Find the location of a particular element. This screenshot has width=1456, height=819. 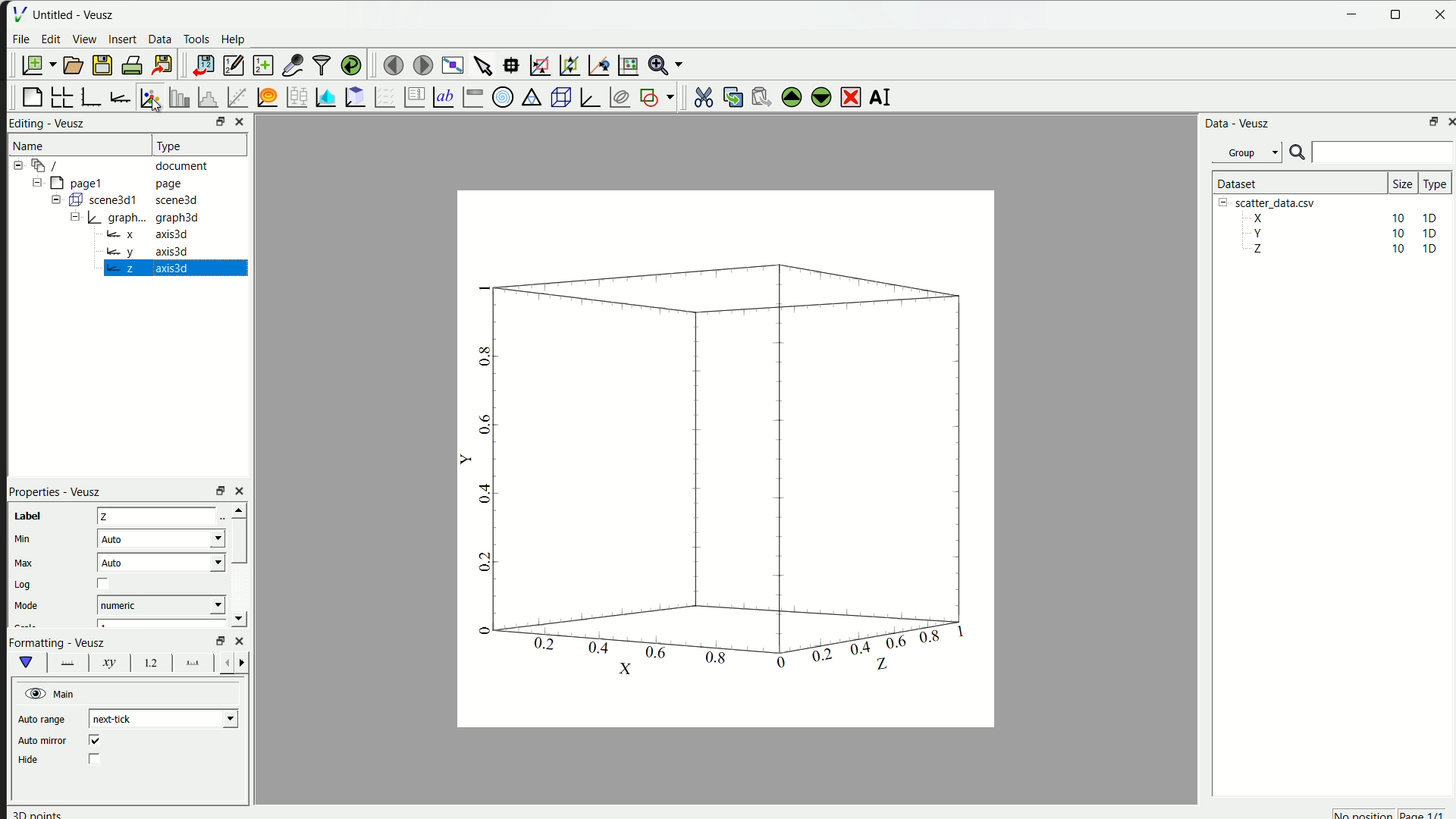

rename the selected widget is located at coordinates (880, 96).